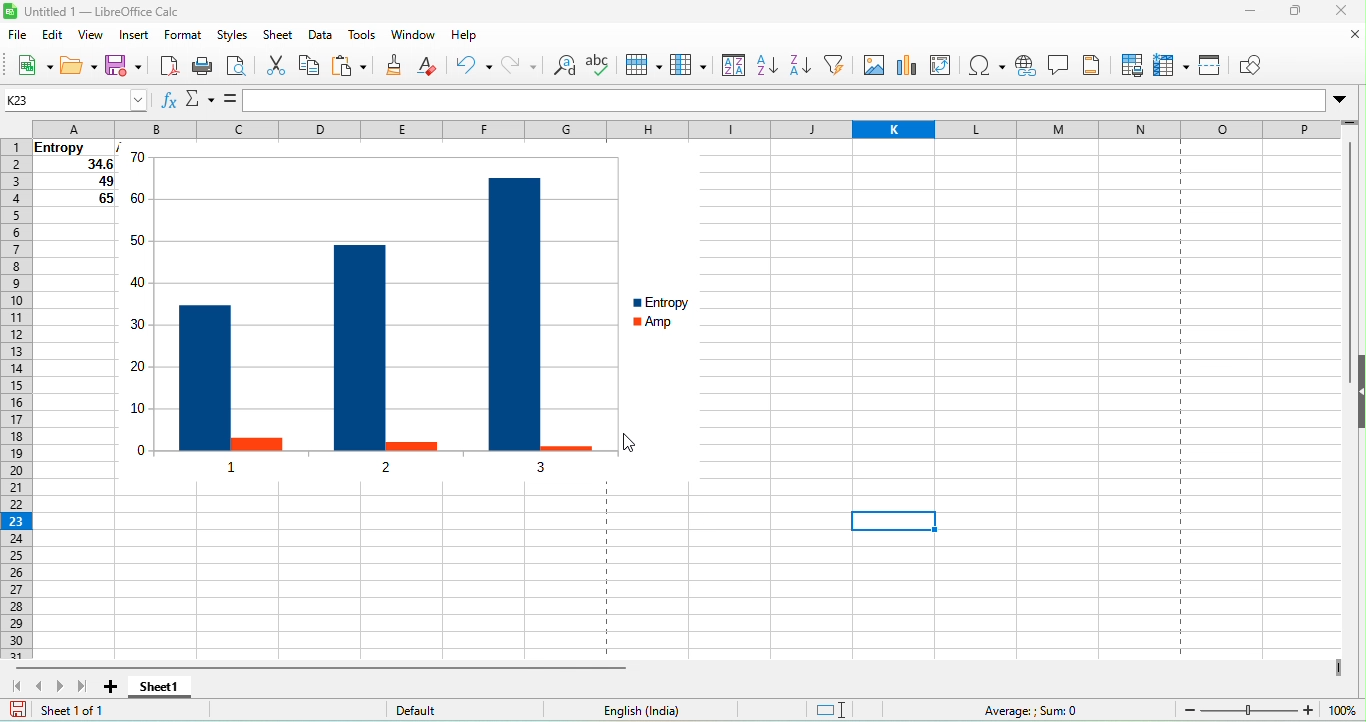 Image resolution: width=1366 pixels, height=722 pixels. I want to click on edit pivot table, so click(947, 69).